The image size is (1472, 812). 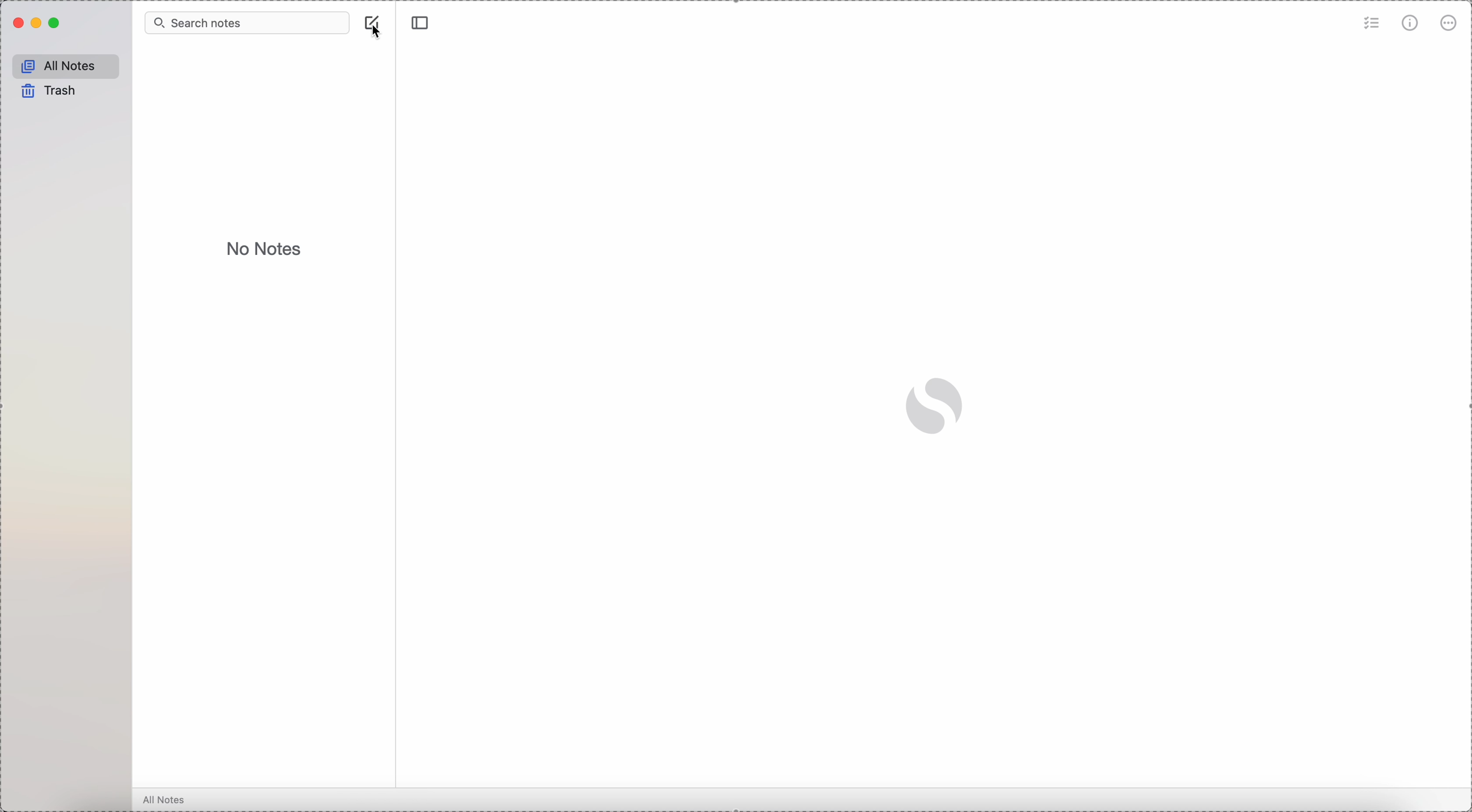 I want to click on toggle sidebar, so click(x=422, y=23).